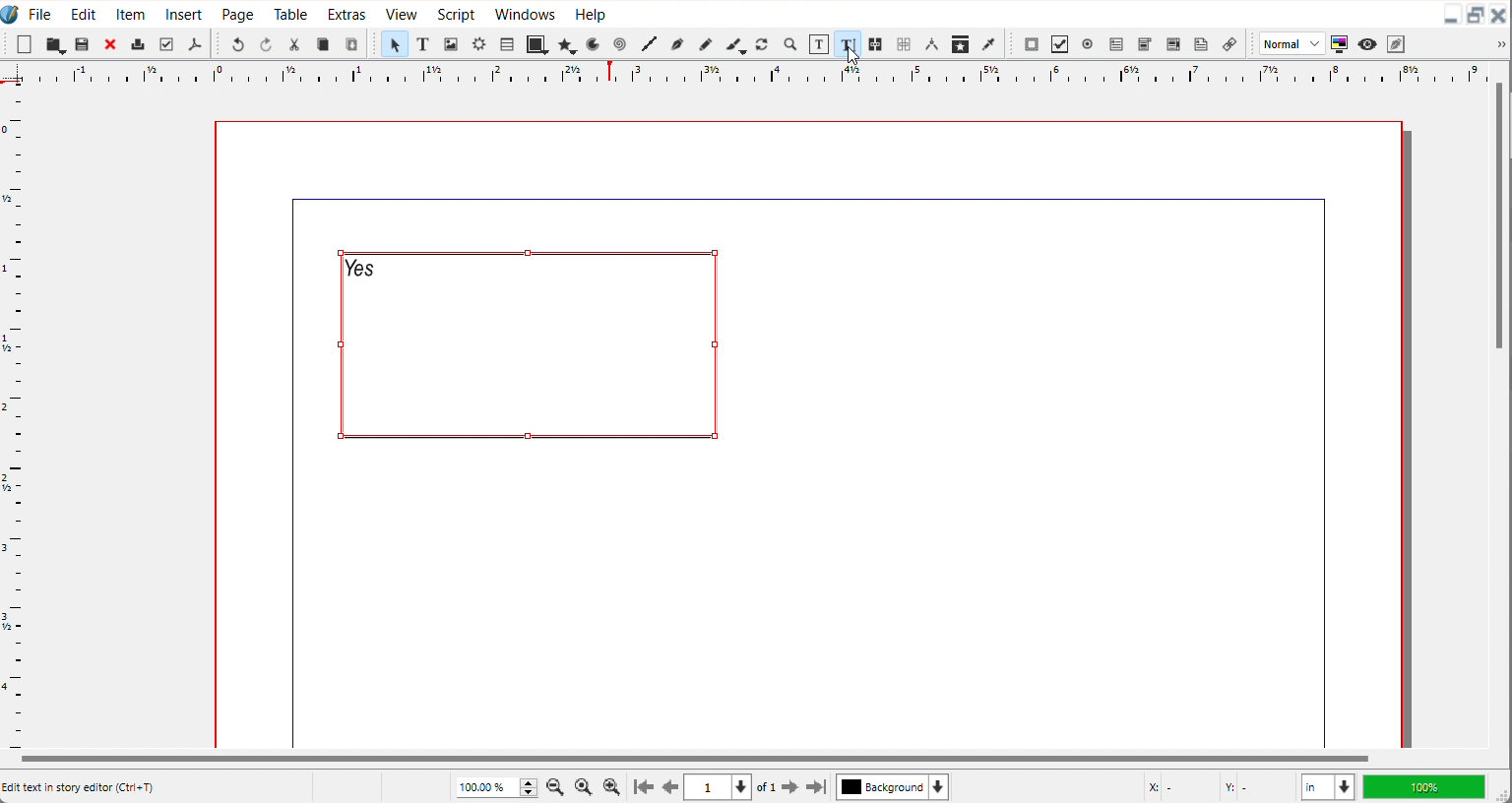 The width and height of the screenshot is (1512, 803). What do you see at coordinates (111, 43) in the screenshot?
I see `Close` at bounding box center [111, 43].